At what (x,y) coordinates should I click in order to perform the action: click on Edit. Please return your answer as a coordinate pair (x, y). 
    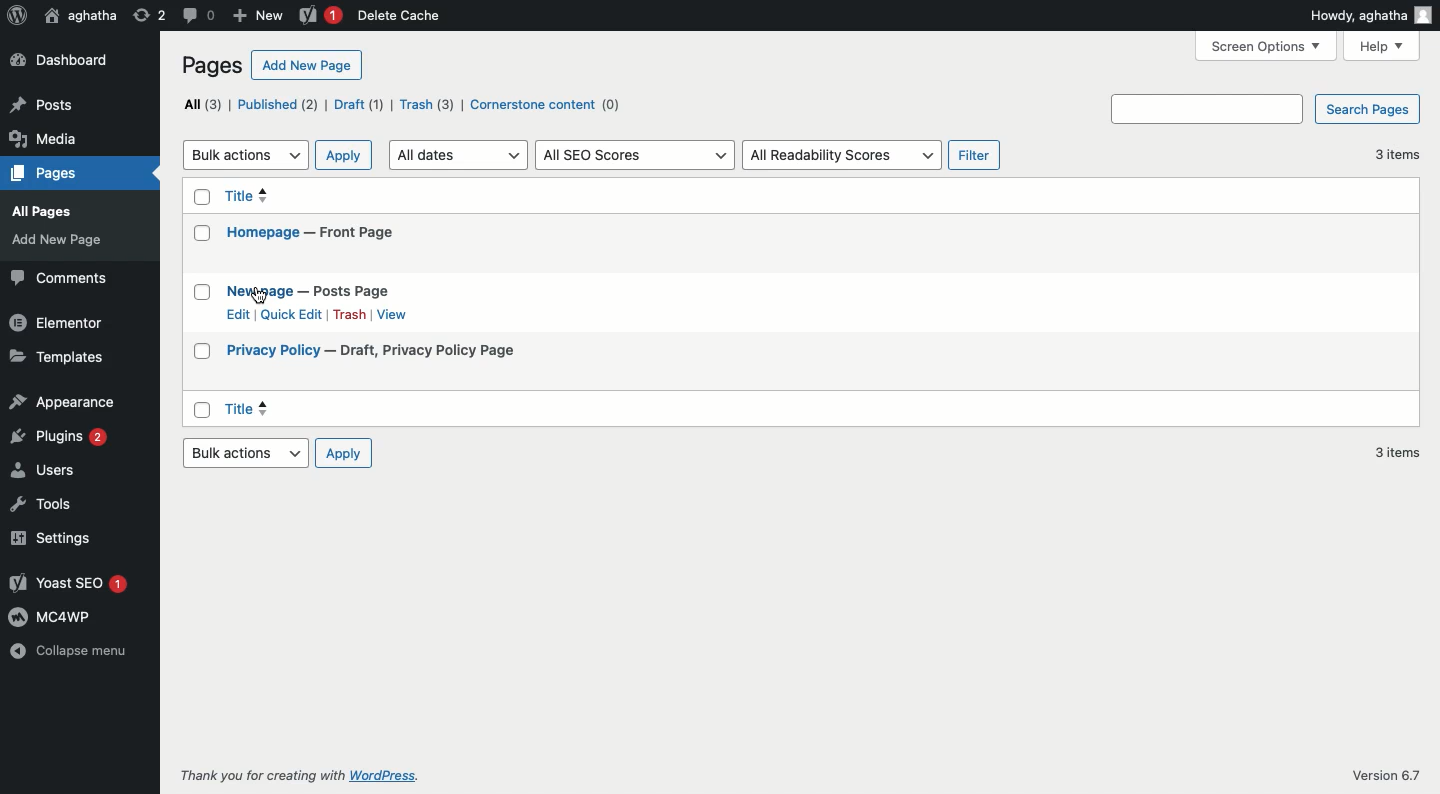
    Looking at the image, I should click on (235, 315).